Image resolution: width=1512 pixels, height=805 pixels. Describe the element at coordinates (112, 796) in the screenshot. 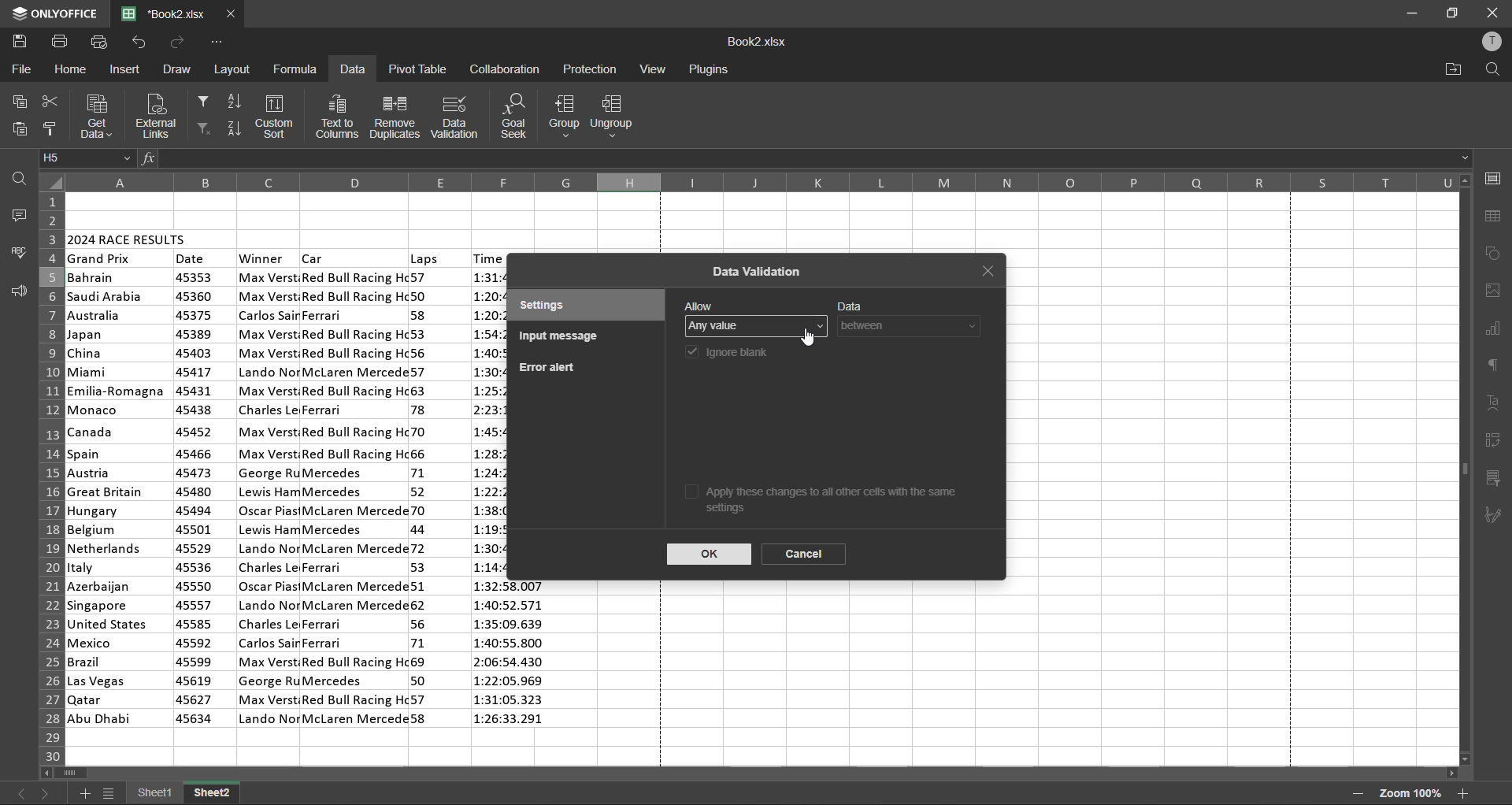

I see `sheet list` at that location.